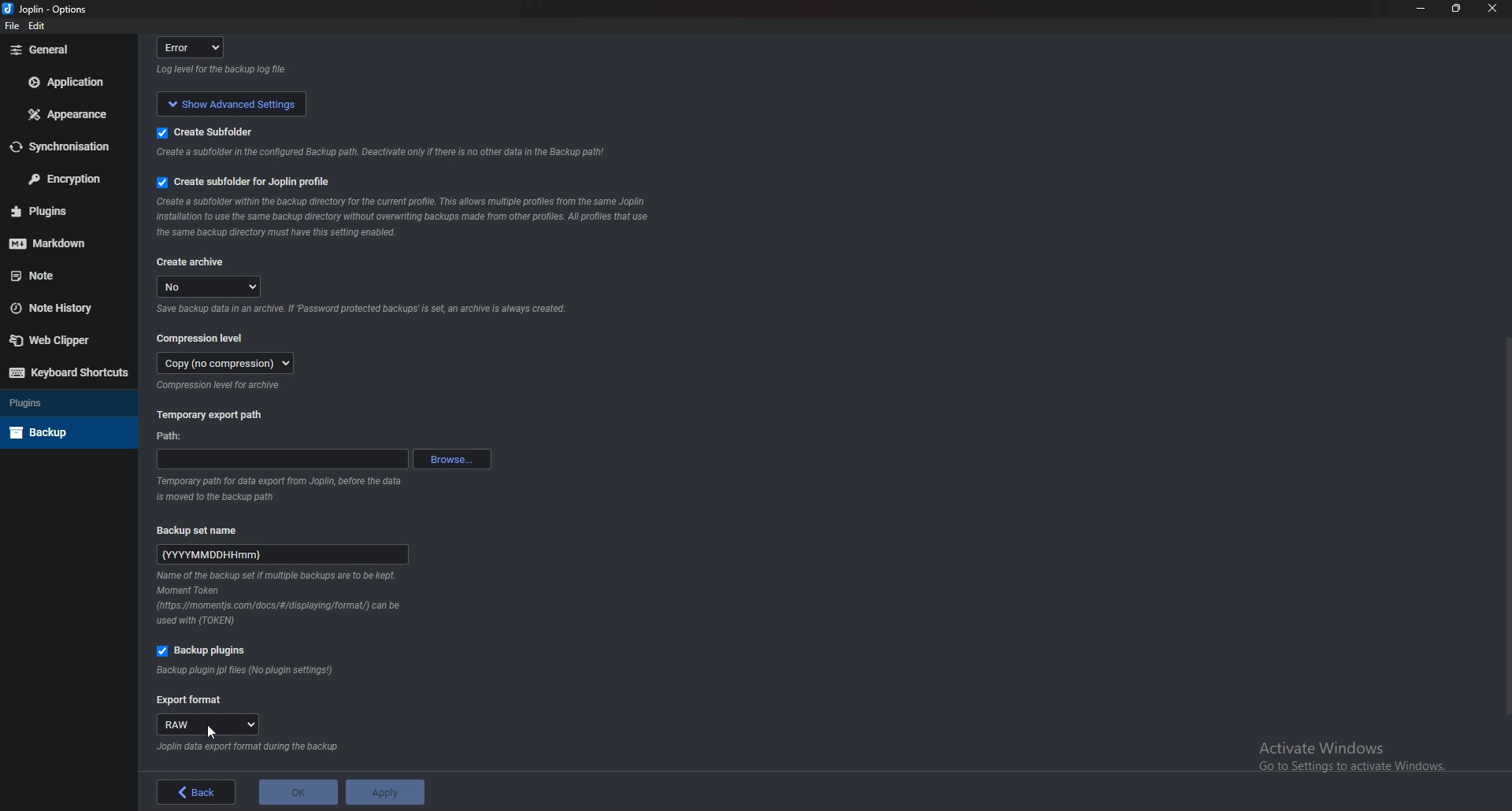  What do you see at coordinates (211, 414) in the screenshot?
I see `Temporary export path` at bounding box center [211, 414].